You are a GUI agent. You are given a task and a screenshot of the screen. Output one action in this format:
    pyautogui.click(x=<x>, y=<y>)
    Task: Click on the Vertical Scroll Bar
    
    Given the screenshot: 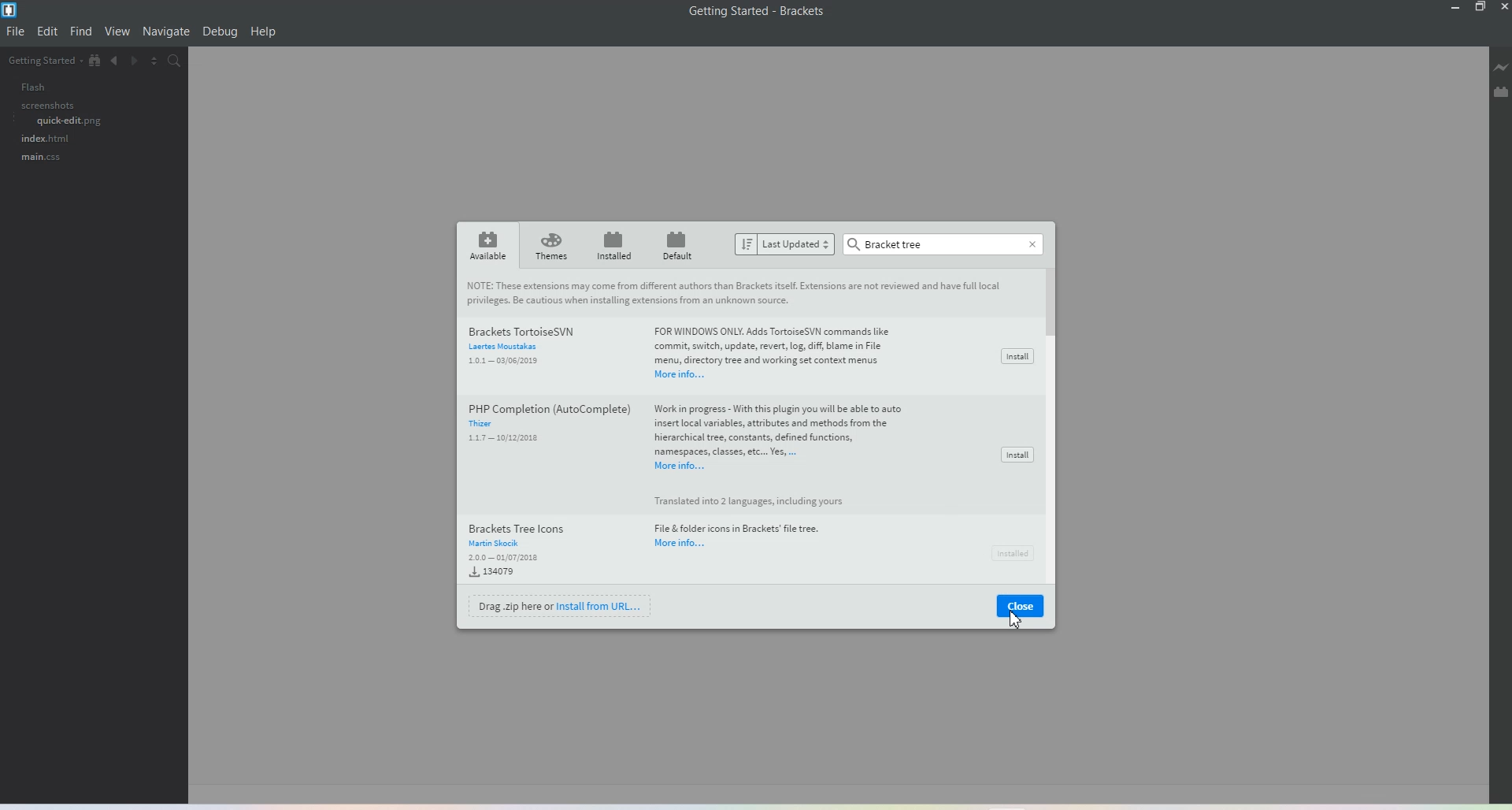 What is the action you would take?
    pyautogui.click(x=1054, y=429)
    